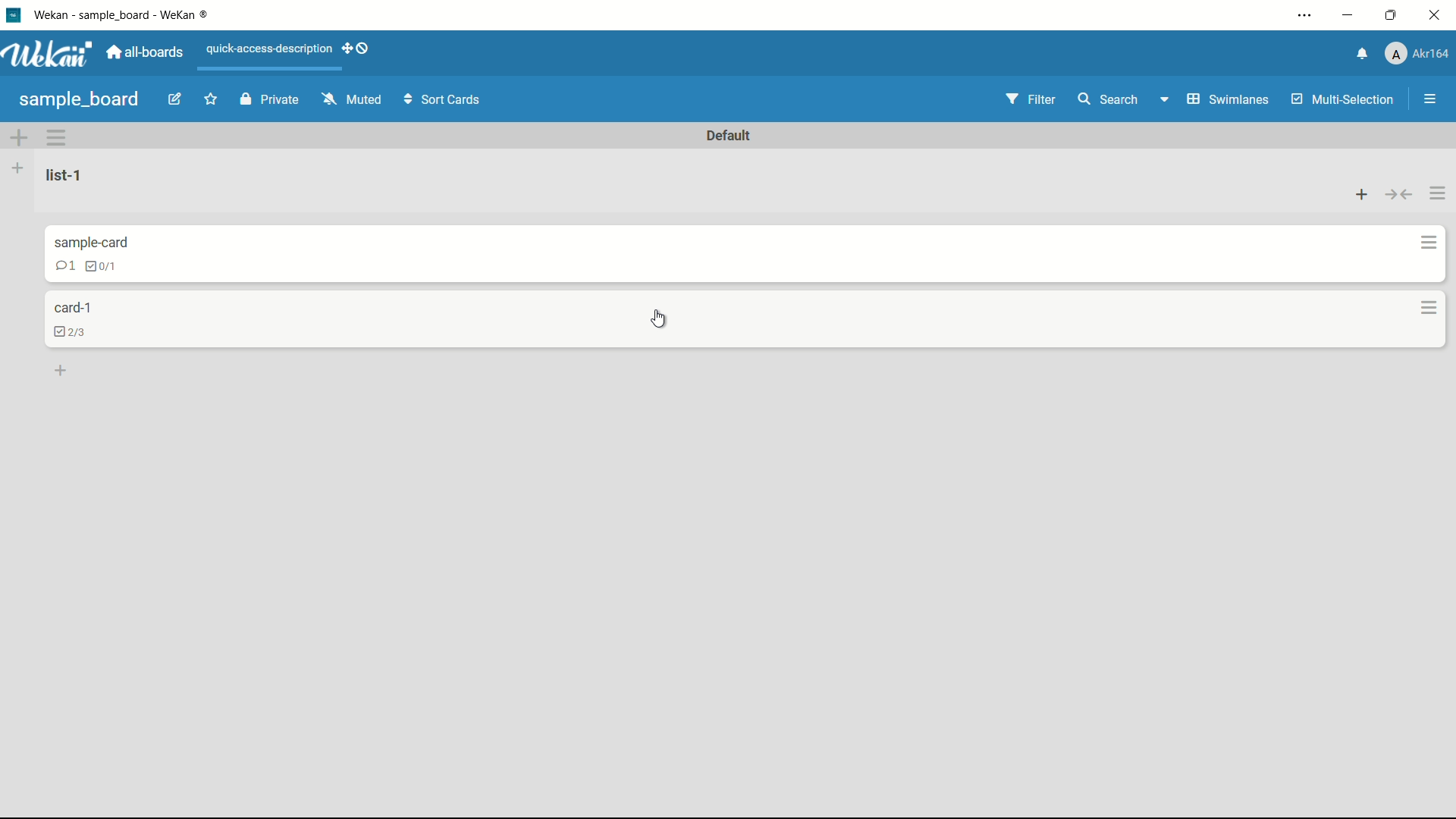 This screenshot has width=1456, height=819. What do you see at coordinates (268, 99) in the screenshot?
I see `private` at bounding box center [268, 99].